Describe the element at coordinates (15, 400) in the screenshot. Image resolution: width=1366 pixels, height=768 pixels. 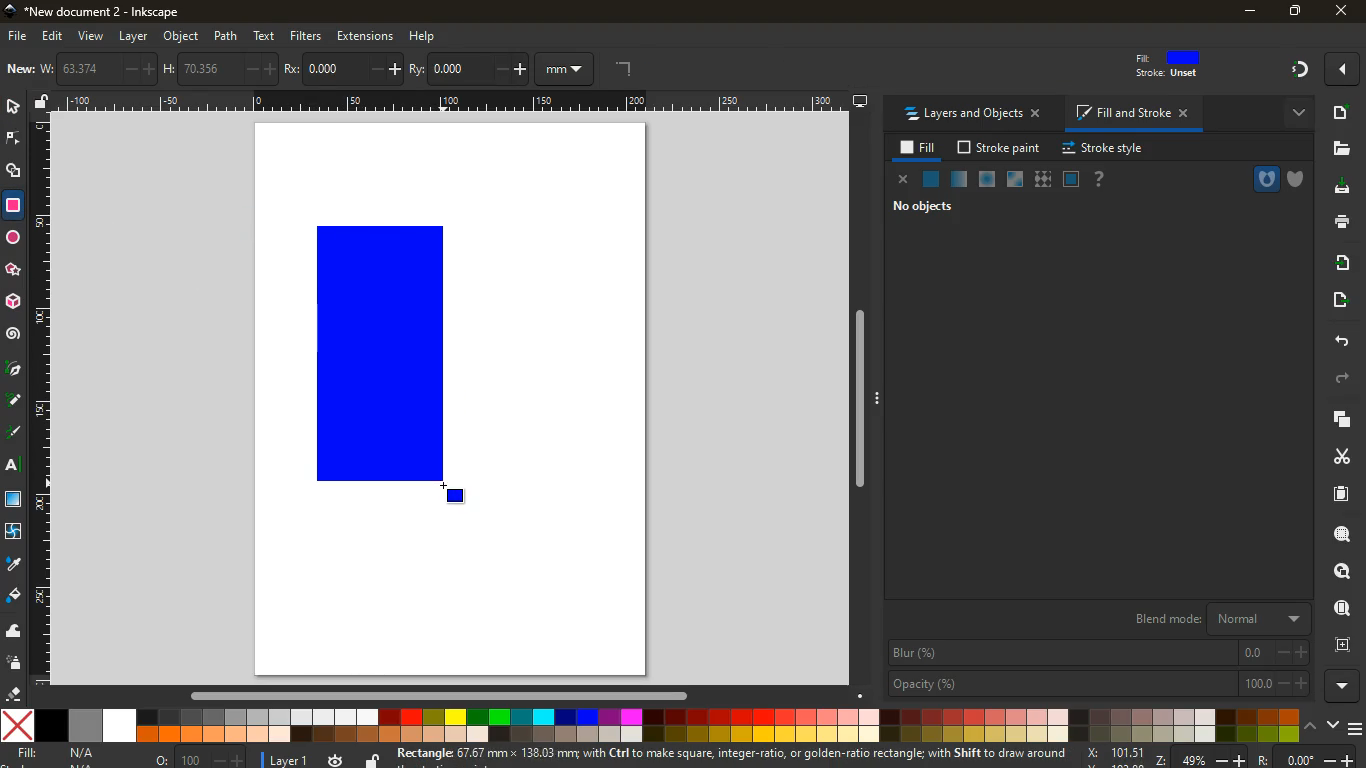
I see `d` at that location.